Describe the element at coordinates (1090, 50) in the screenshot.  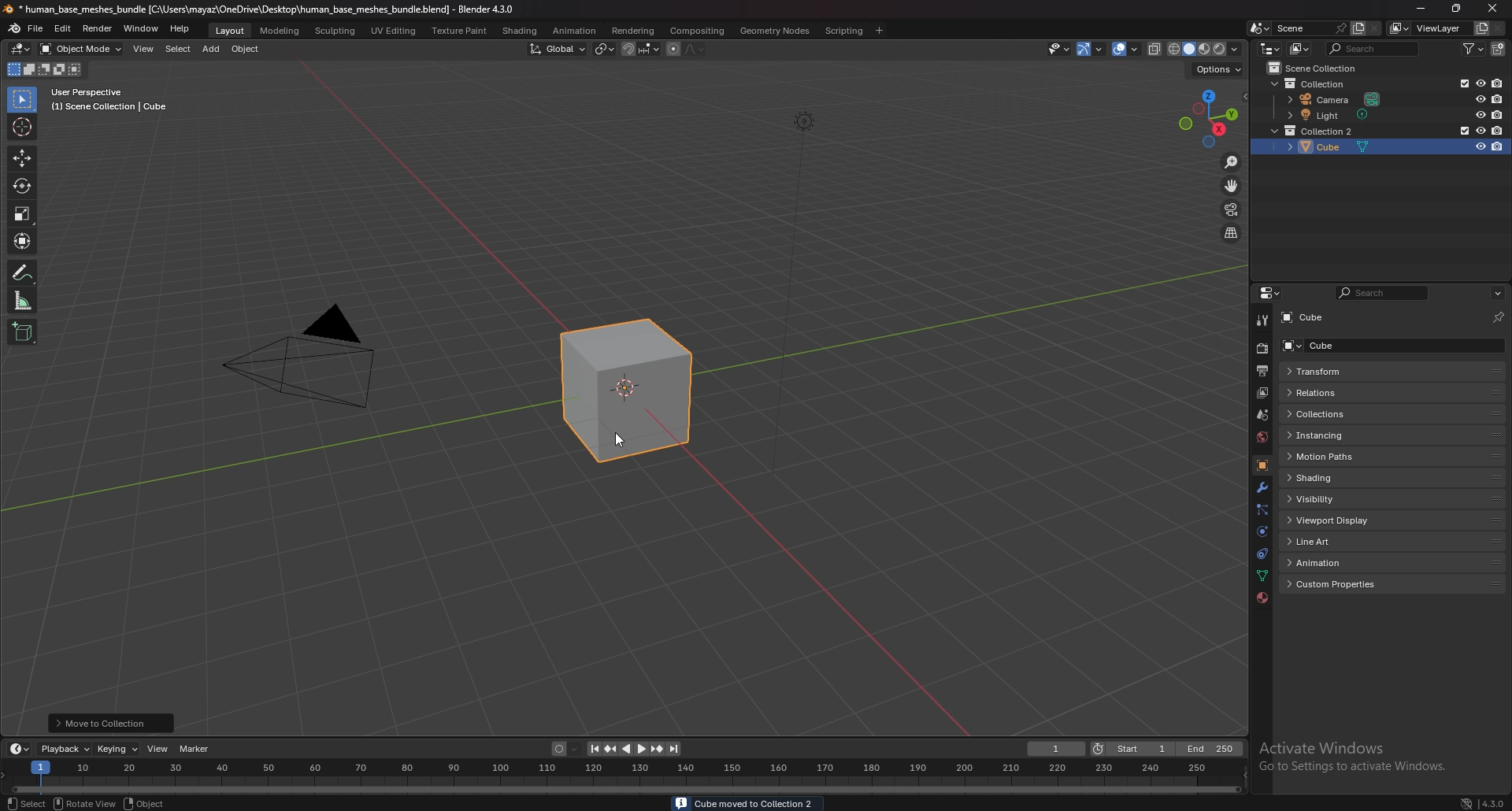
I see `show gizmo` at that location.